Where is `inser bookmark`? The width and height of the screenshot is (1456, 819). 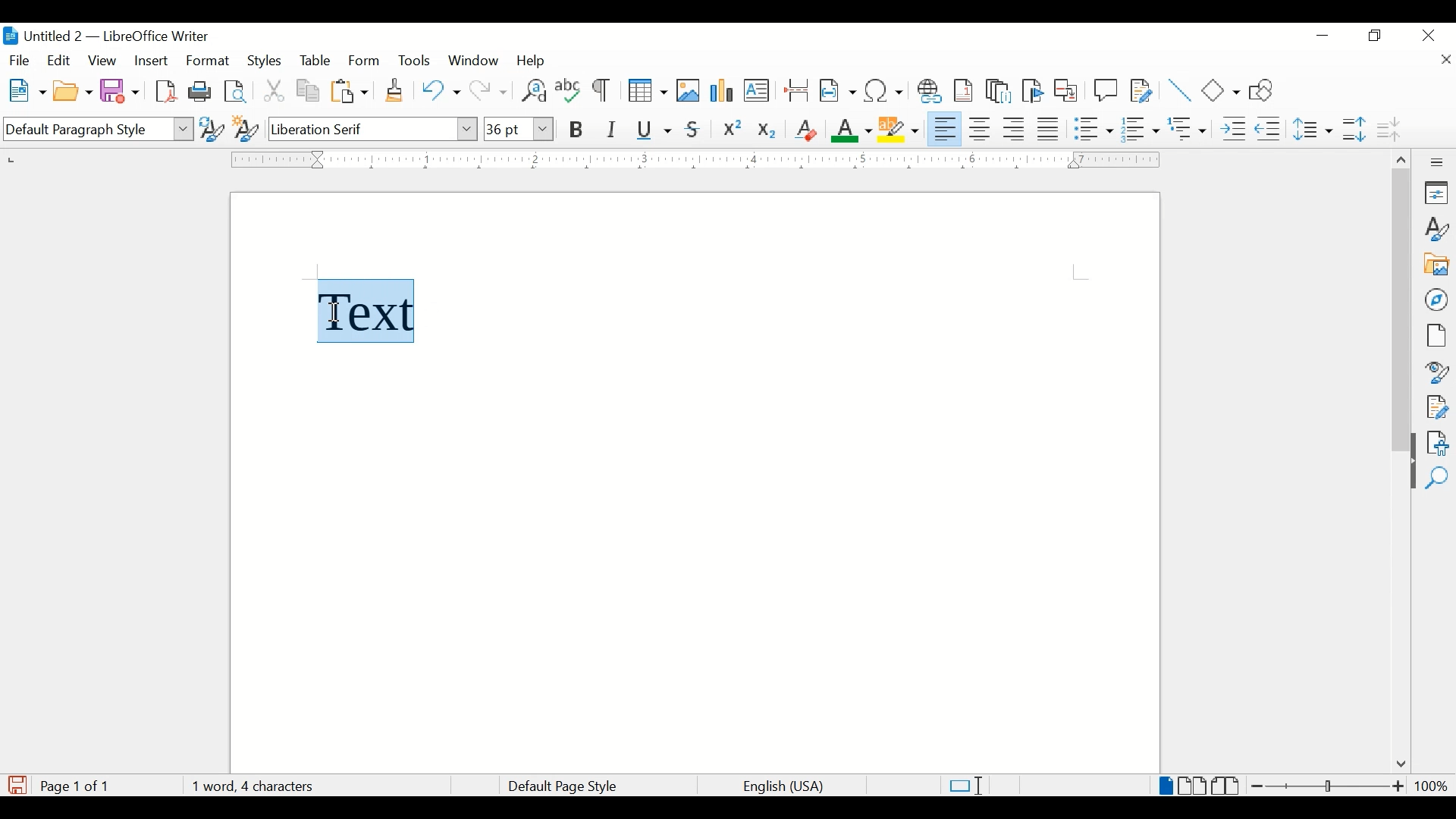
inser bookmark is located at coordinates (1032, 91).